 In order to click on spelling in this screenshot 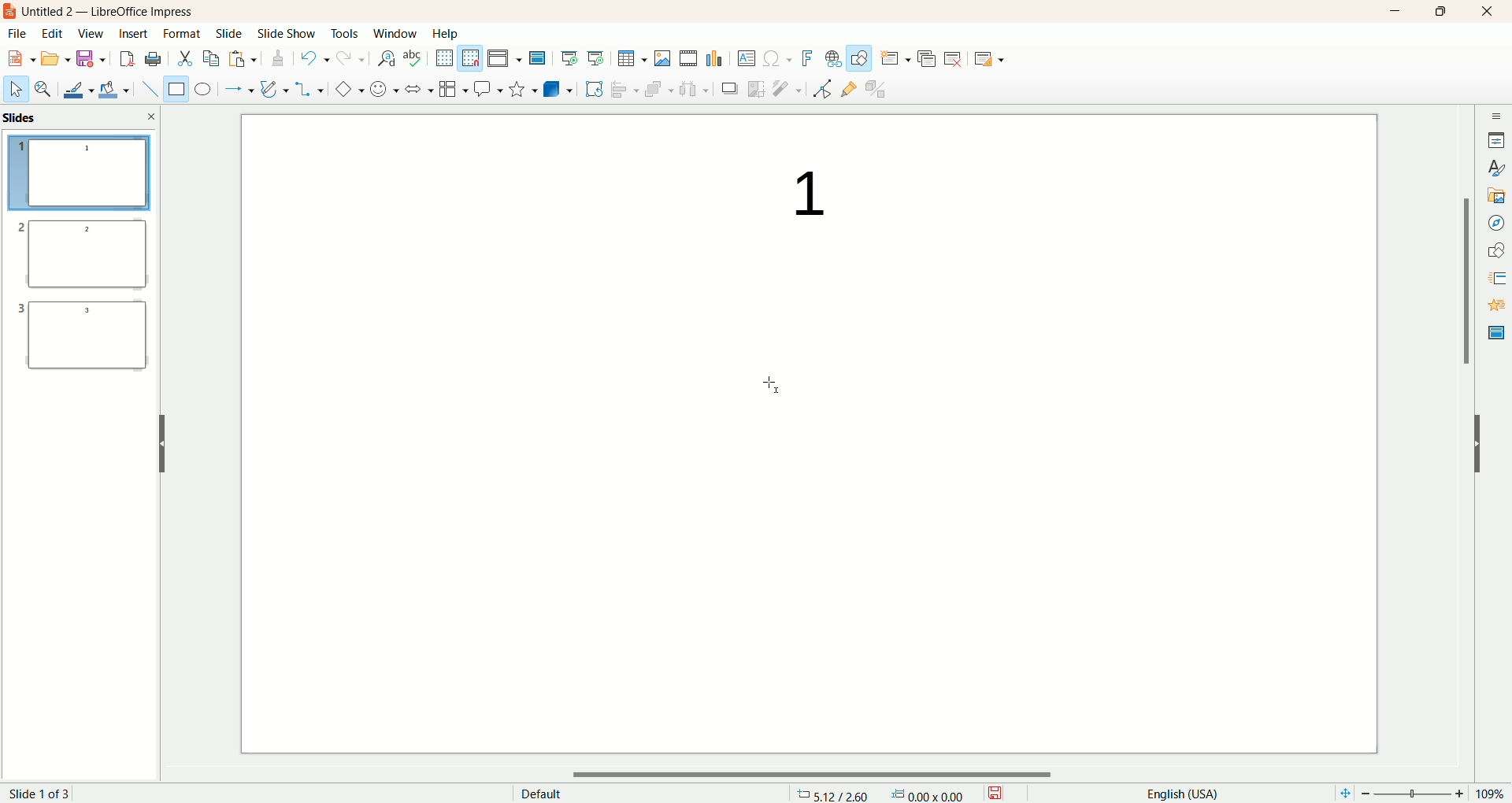, I will do `click(413, 58)`.